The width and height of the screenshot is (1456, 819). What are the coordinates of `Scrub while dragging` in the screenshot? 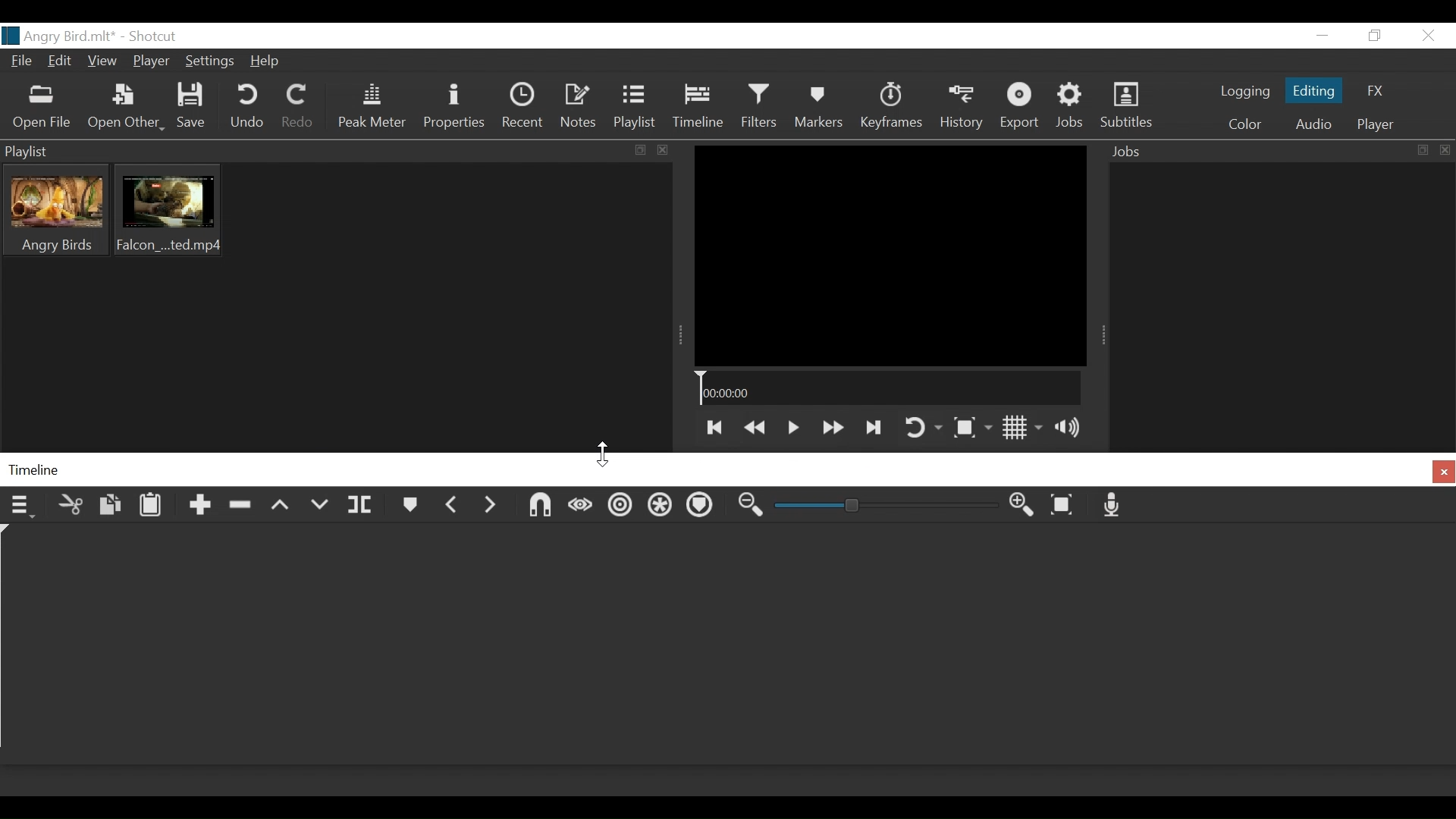 It's located at (580, 507).